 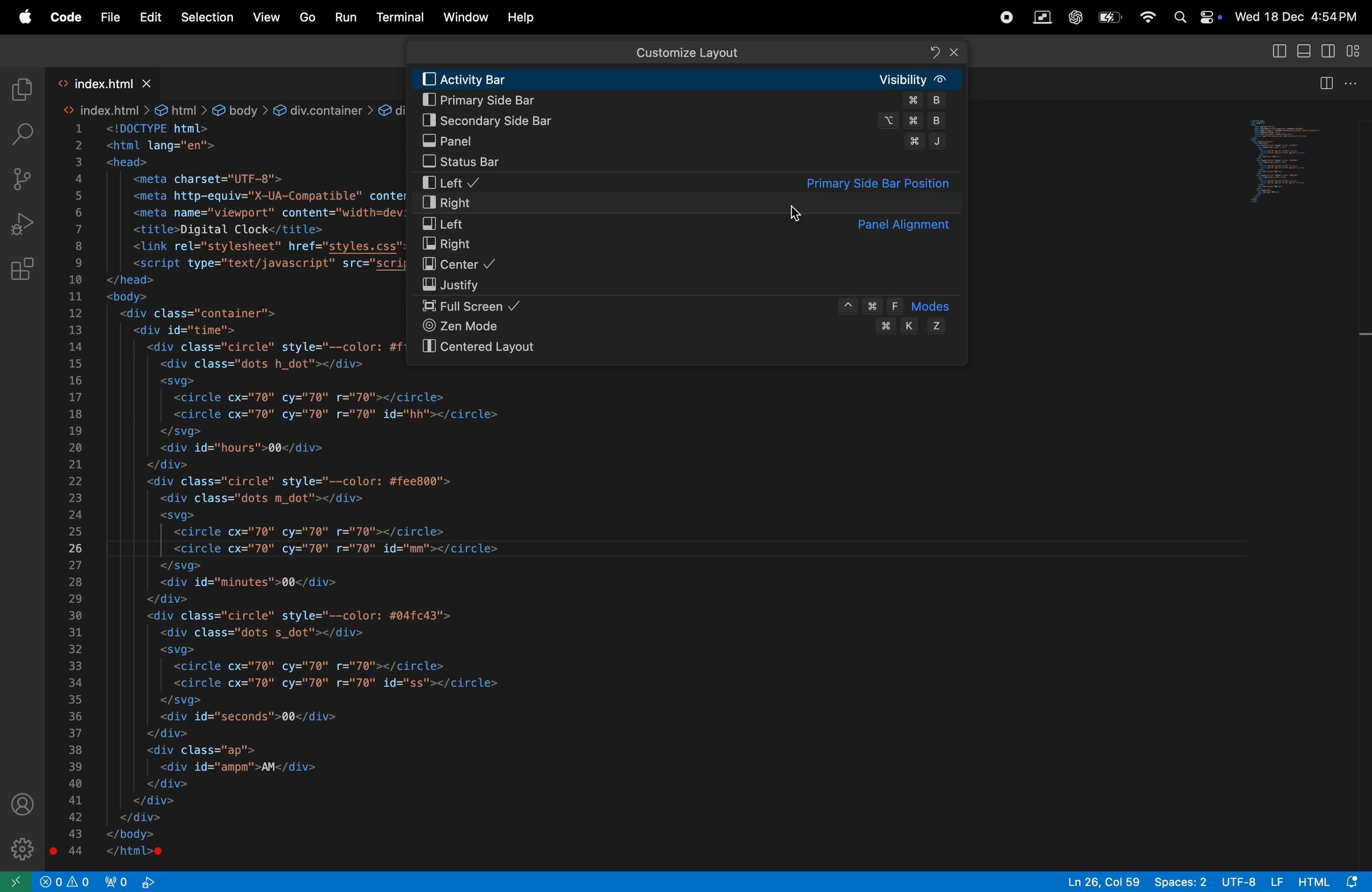 I want to click on options, so click(x=1352, y=82).